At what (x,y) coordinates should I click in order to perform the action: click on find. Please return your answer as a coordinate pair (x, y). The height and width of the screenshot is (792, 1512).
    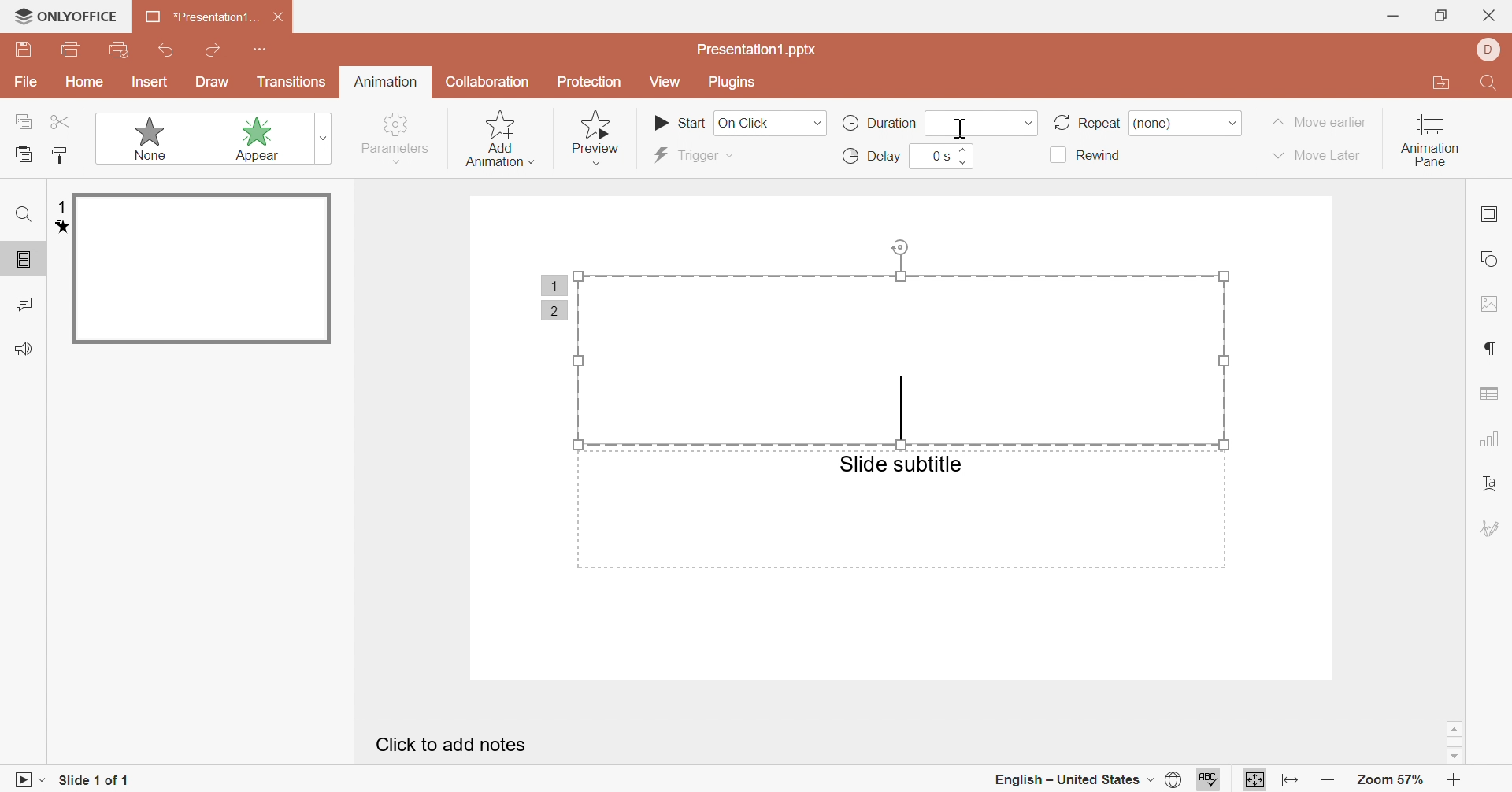
    Looking at the image, I should click on (1492, 83).